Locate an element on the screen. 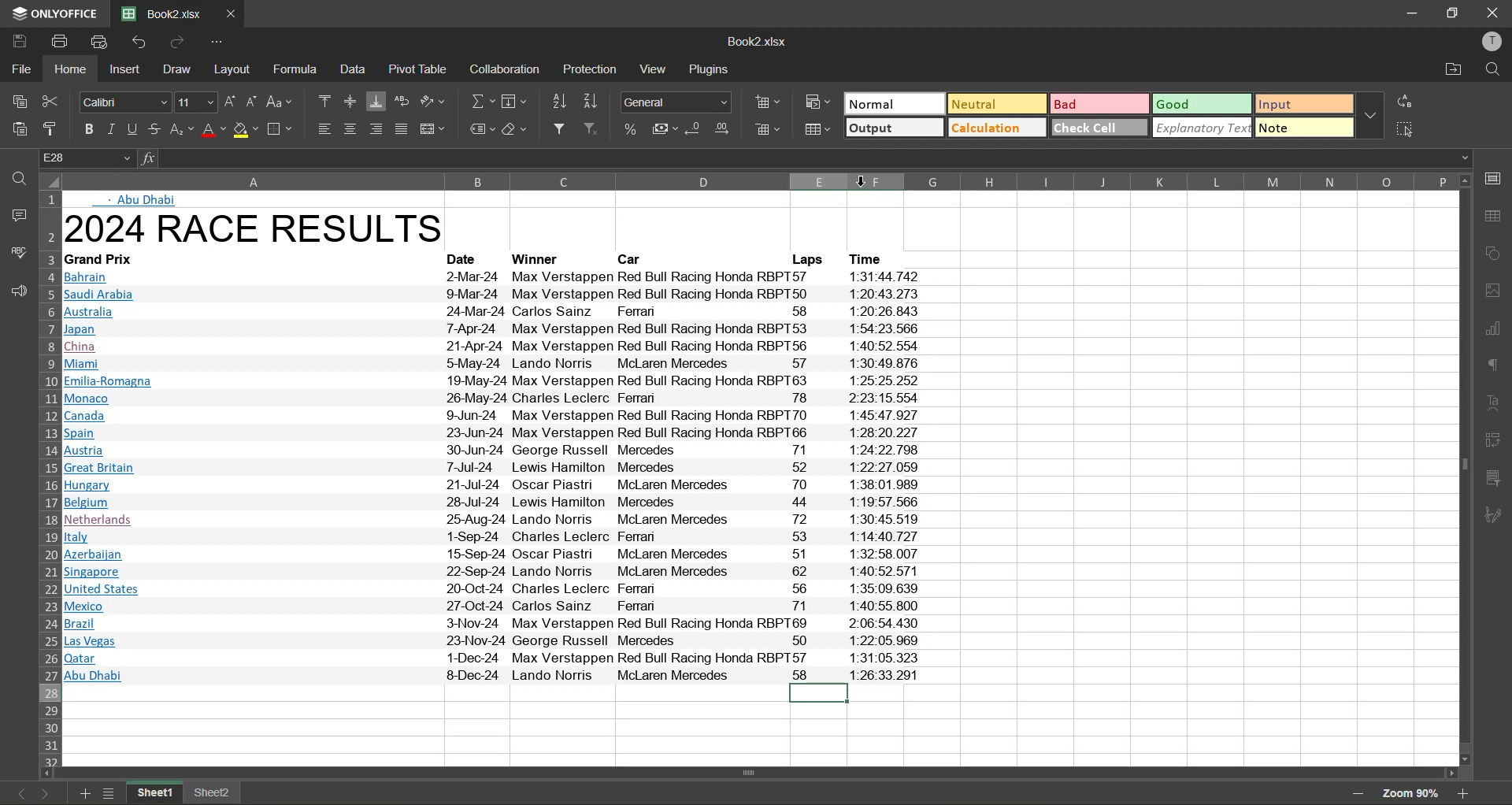  find is located at coordinates (1492, 68).